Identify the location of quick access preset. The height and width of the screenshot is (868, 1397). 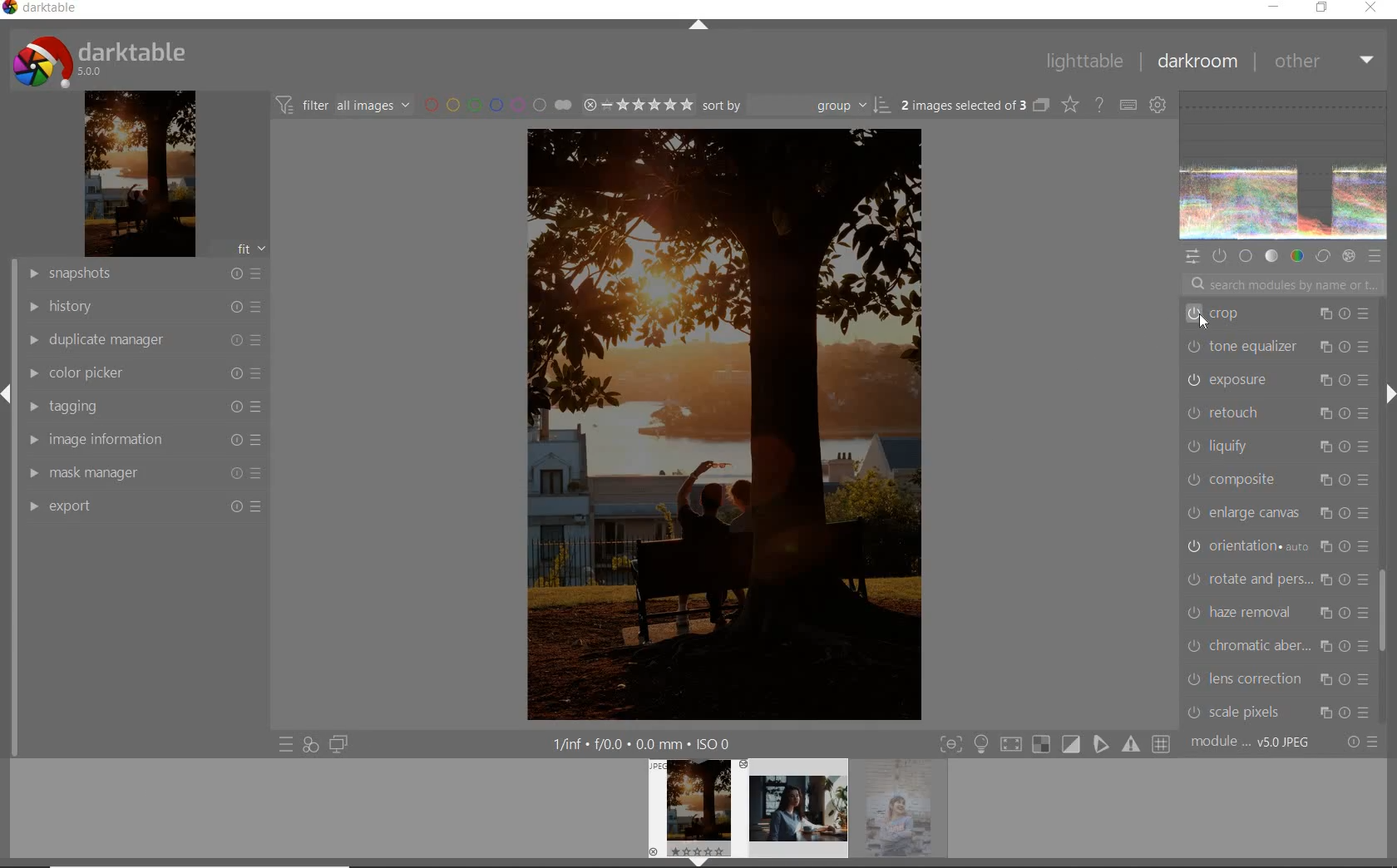
(286, 746).